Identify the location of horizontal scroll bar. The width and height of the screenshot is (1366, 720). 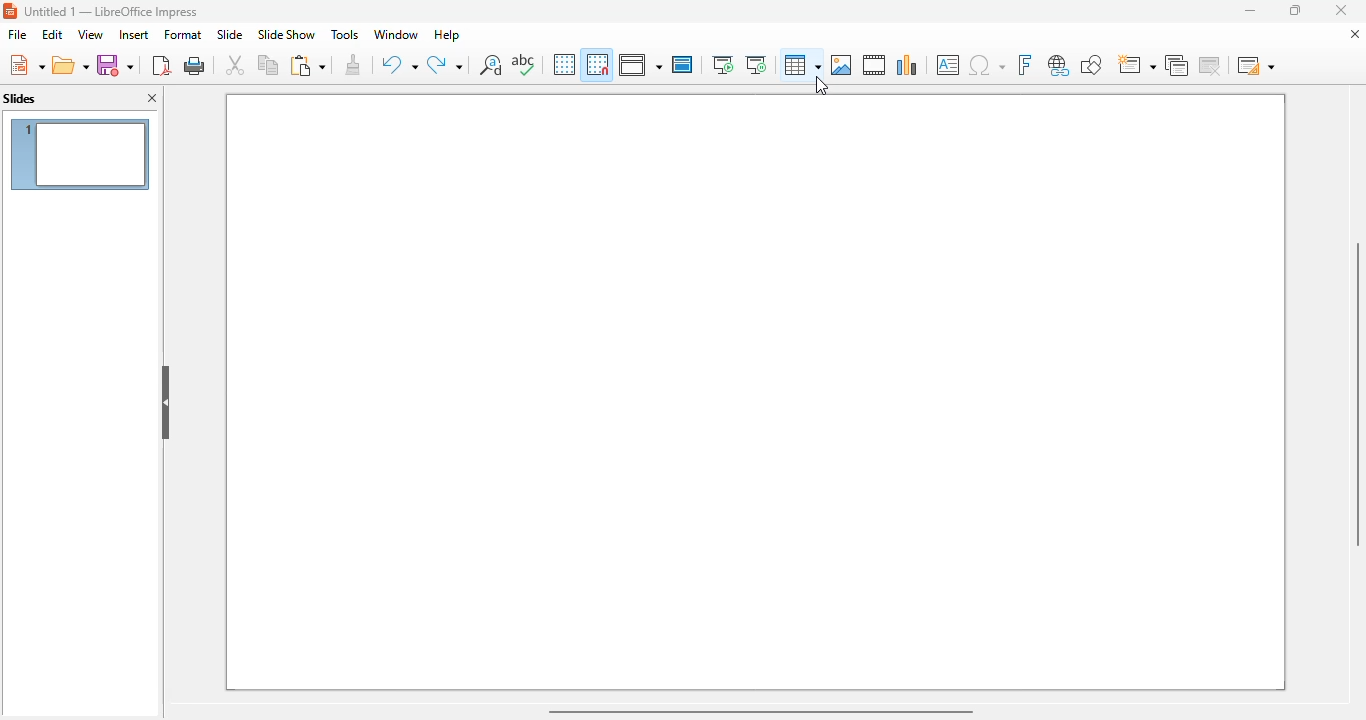
(759, 712).